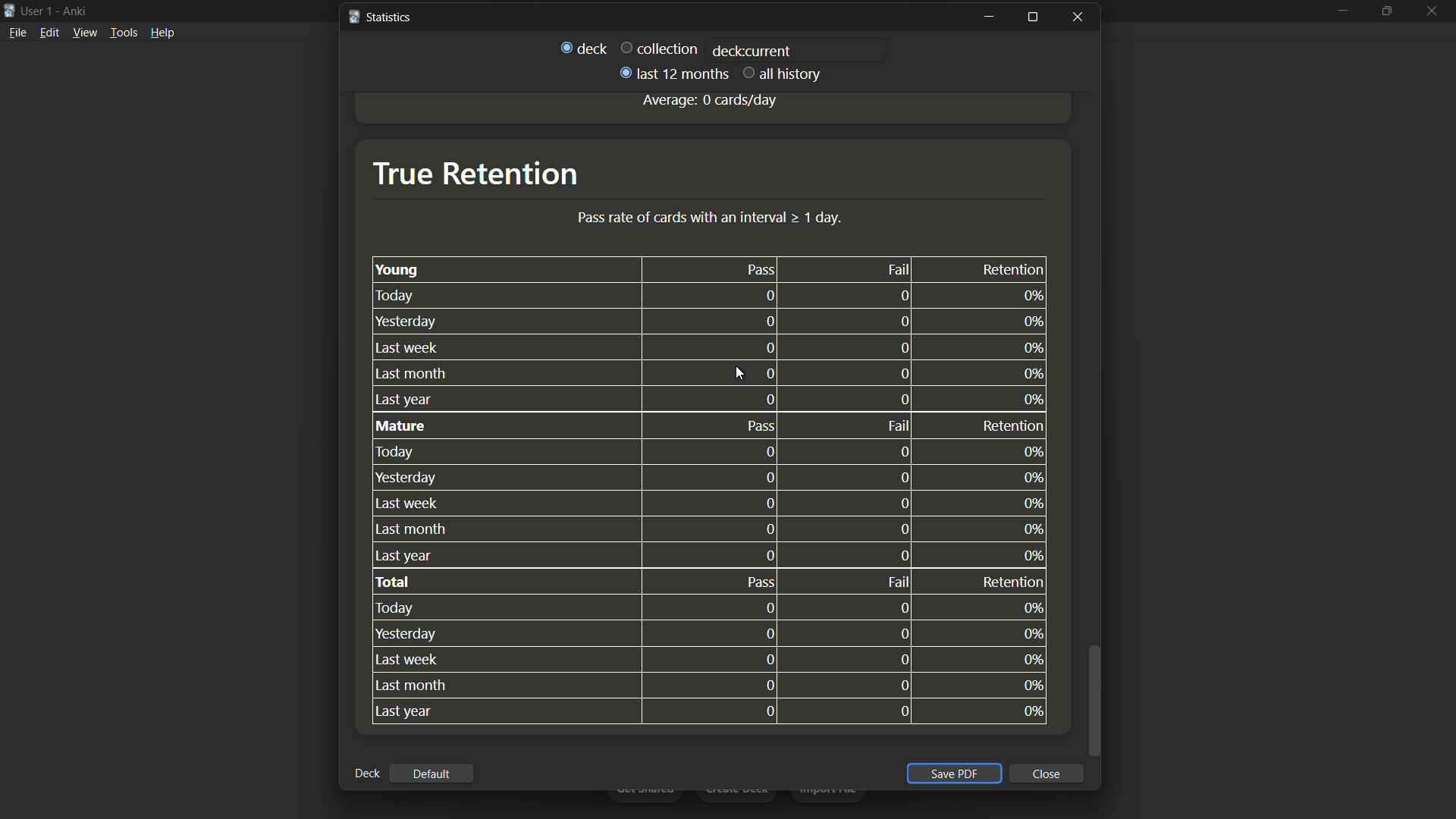  I want to click on maximize, so click(1034, 18).